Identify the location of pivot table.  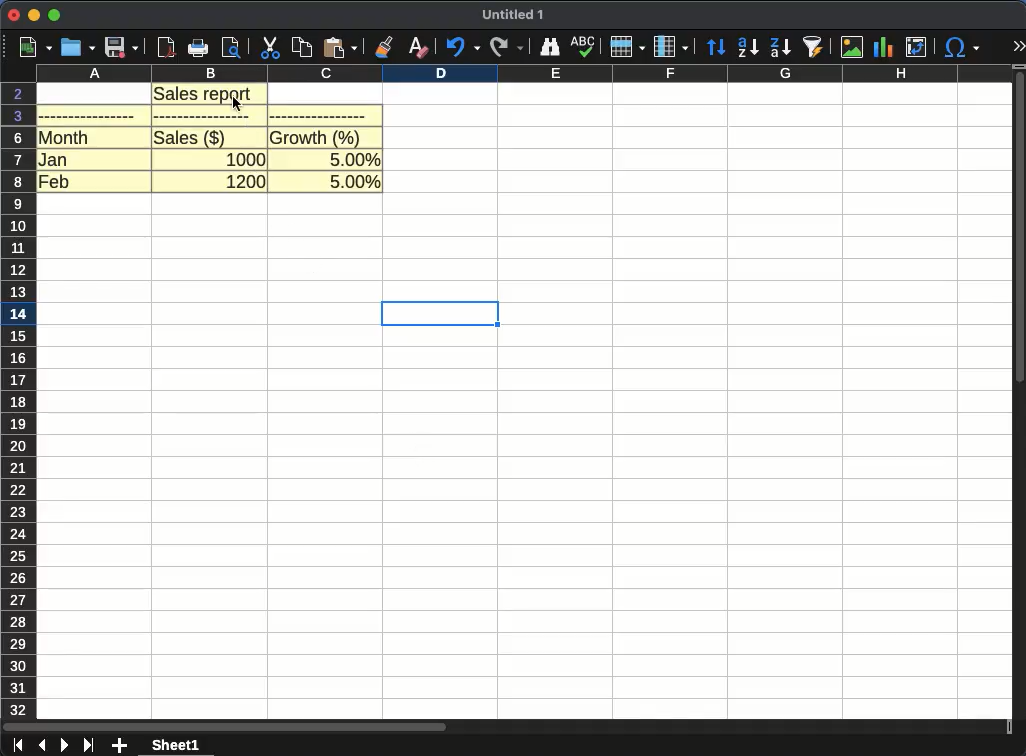
(914, 48).